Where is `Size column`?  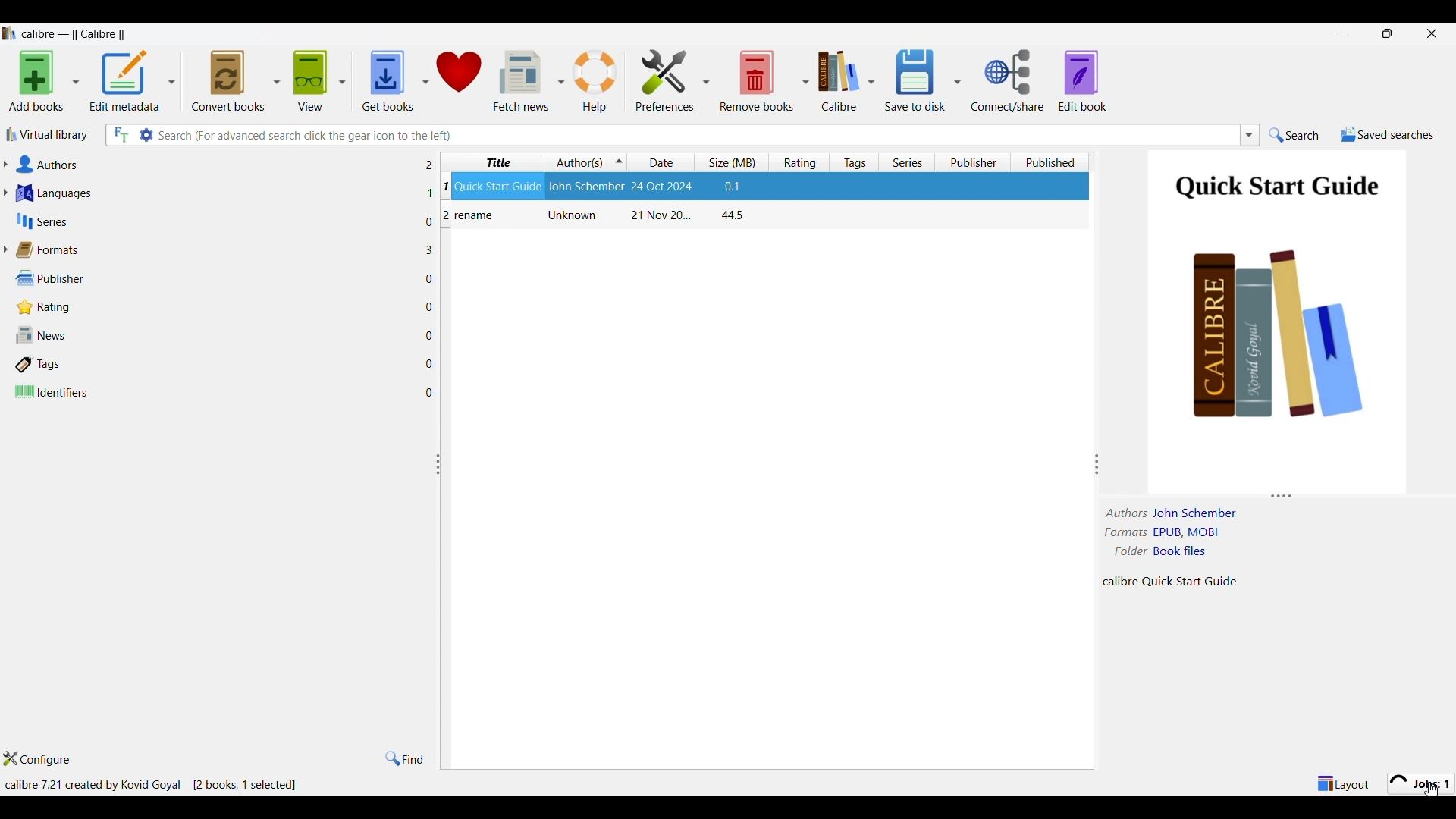
Size column is located at coordinates (733, 162).